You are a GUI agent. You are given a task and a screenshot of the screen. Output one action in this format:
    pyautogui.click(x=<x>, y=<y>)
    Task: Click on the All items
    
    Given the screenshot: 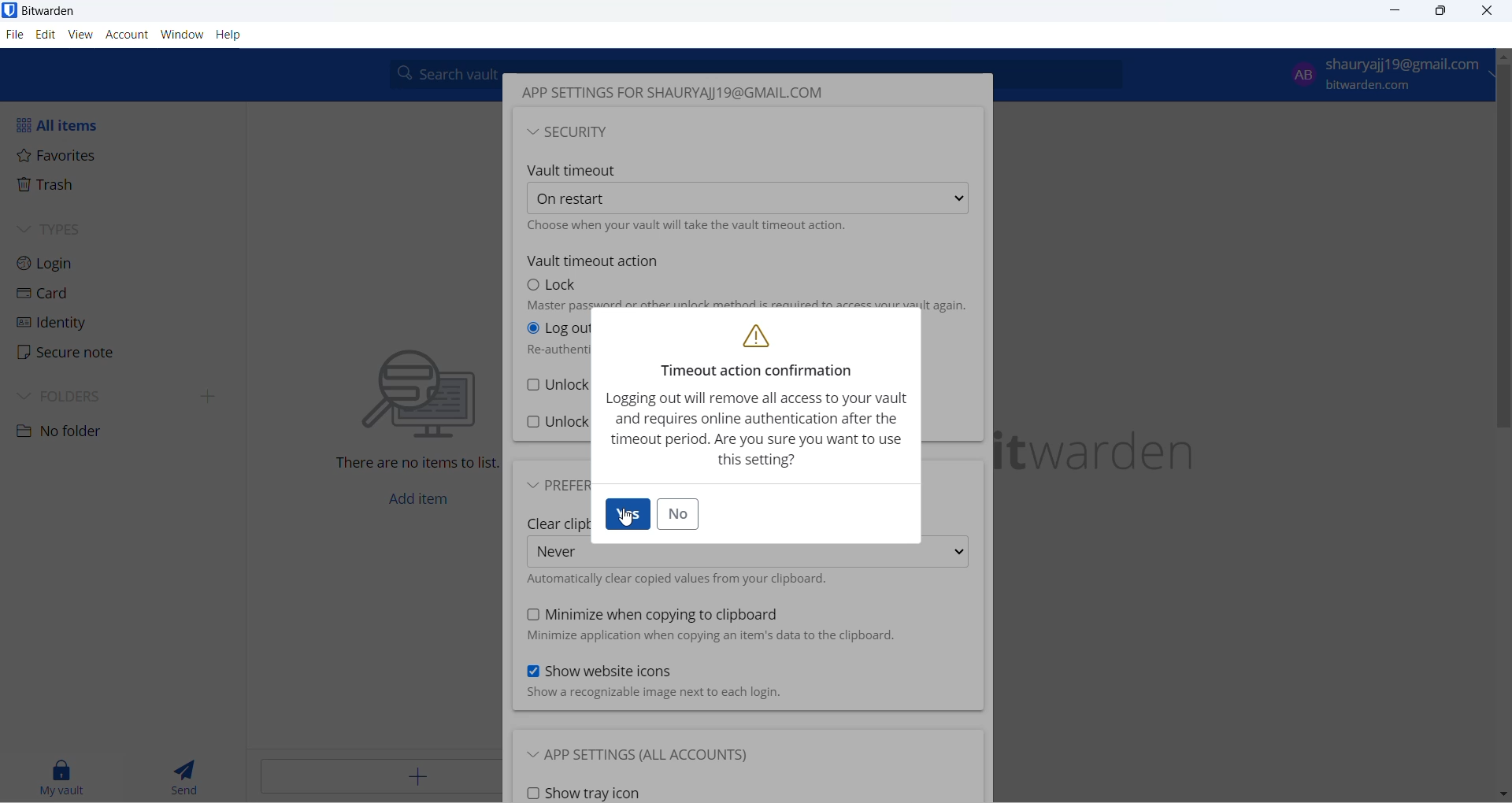 What is the action you would take?
    pyautogui.click(x=67, y=122)
    